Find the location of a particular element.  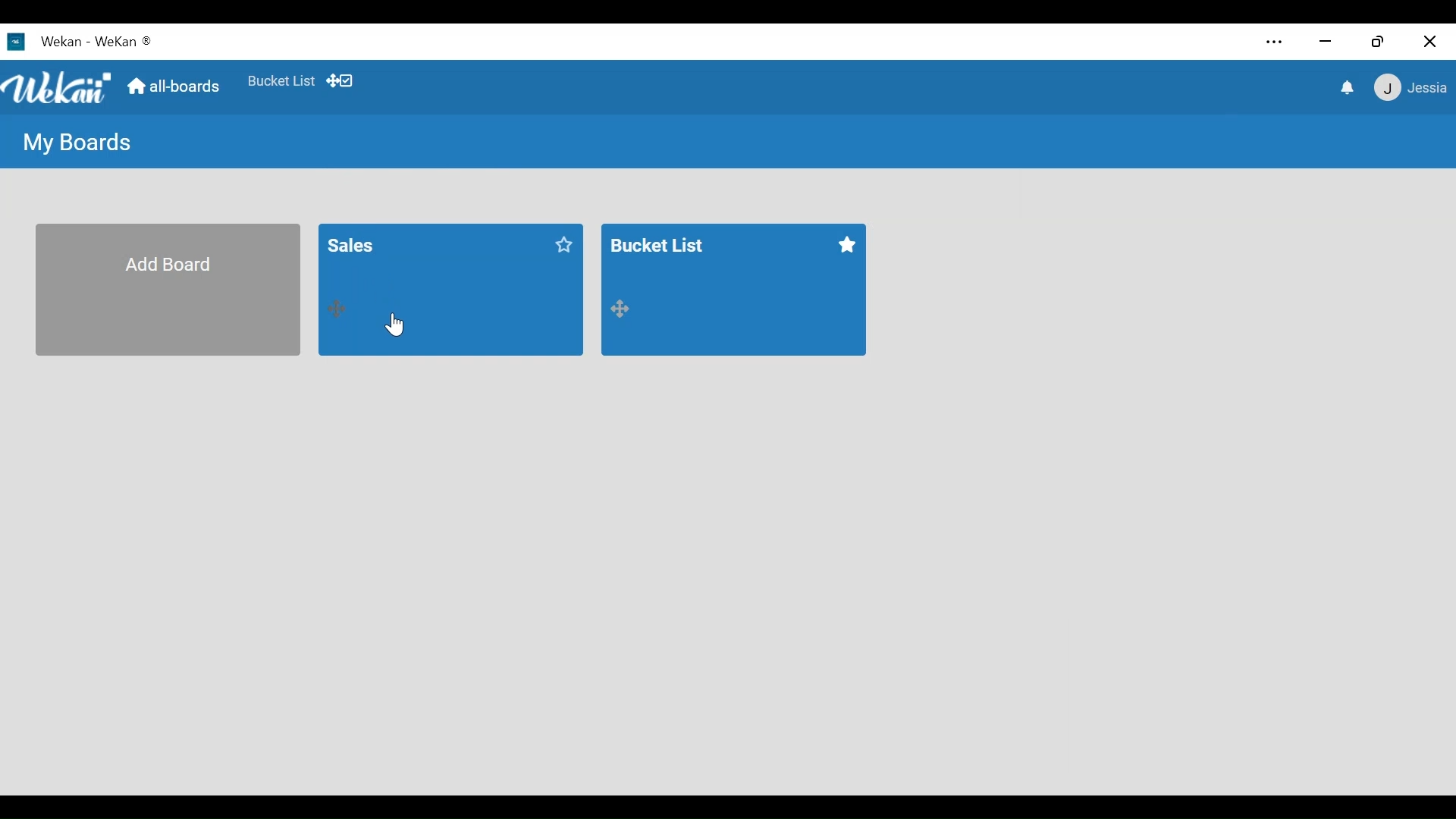

action is located at coordinates (624, 312).